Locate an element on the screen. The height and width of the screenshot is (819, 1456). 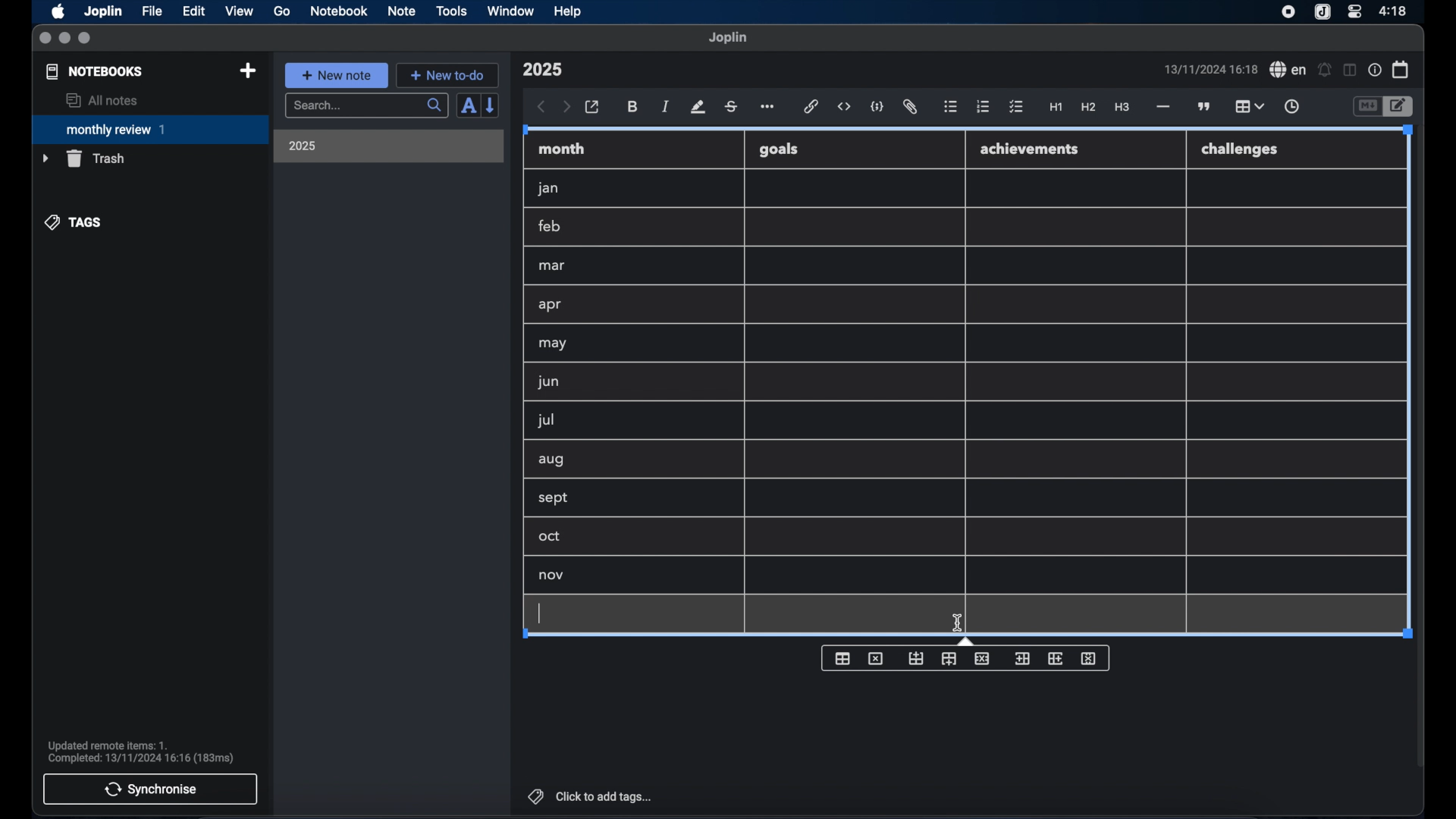
toggle editor is located at coordinates (1401, 107).